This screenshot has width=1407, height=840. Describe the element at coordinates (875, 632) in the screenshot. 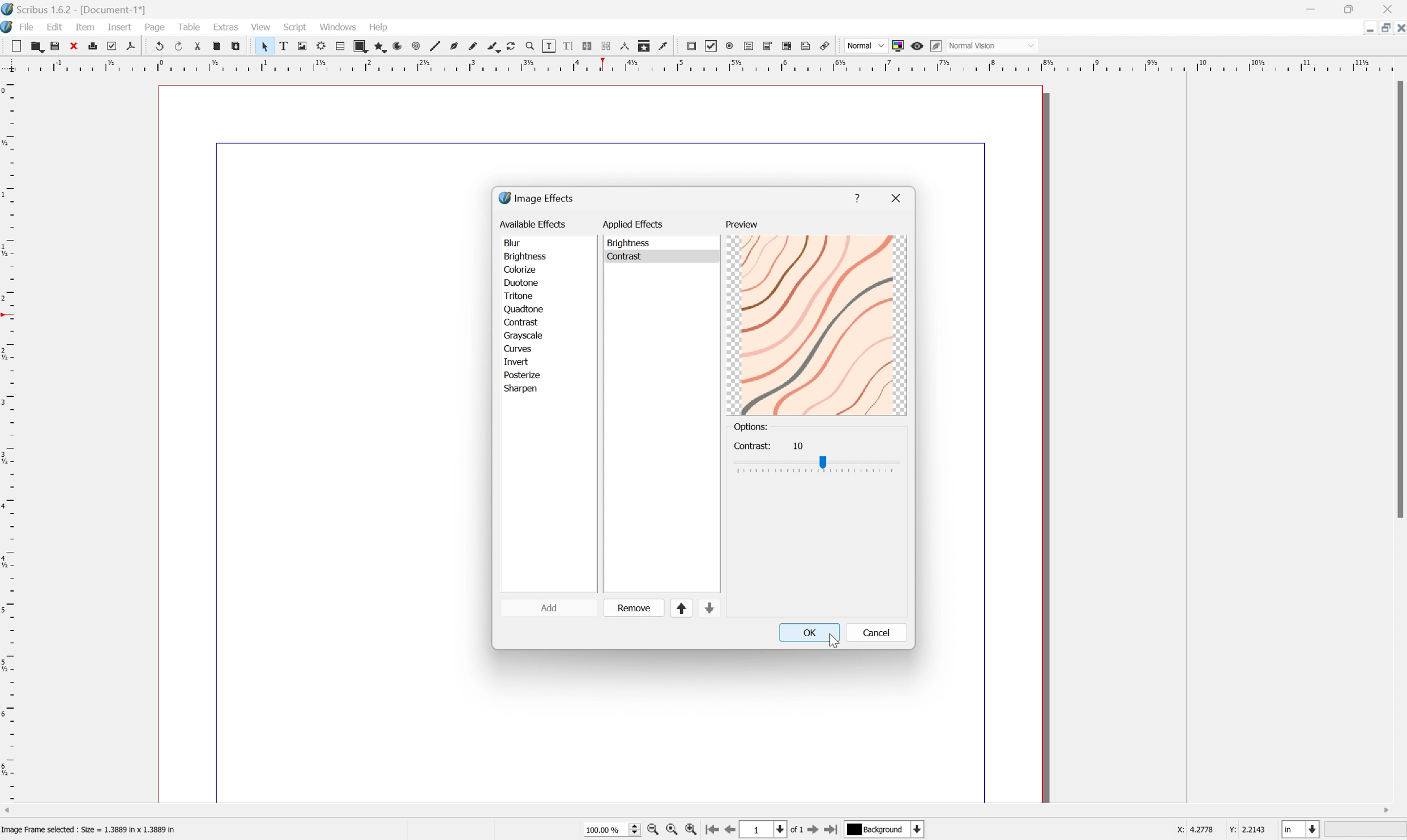

I see `cancel` at that location.